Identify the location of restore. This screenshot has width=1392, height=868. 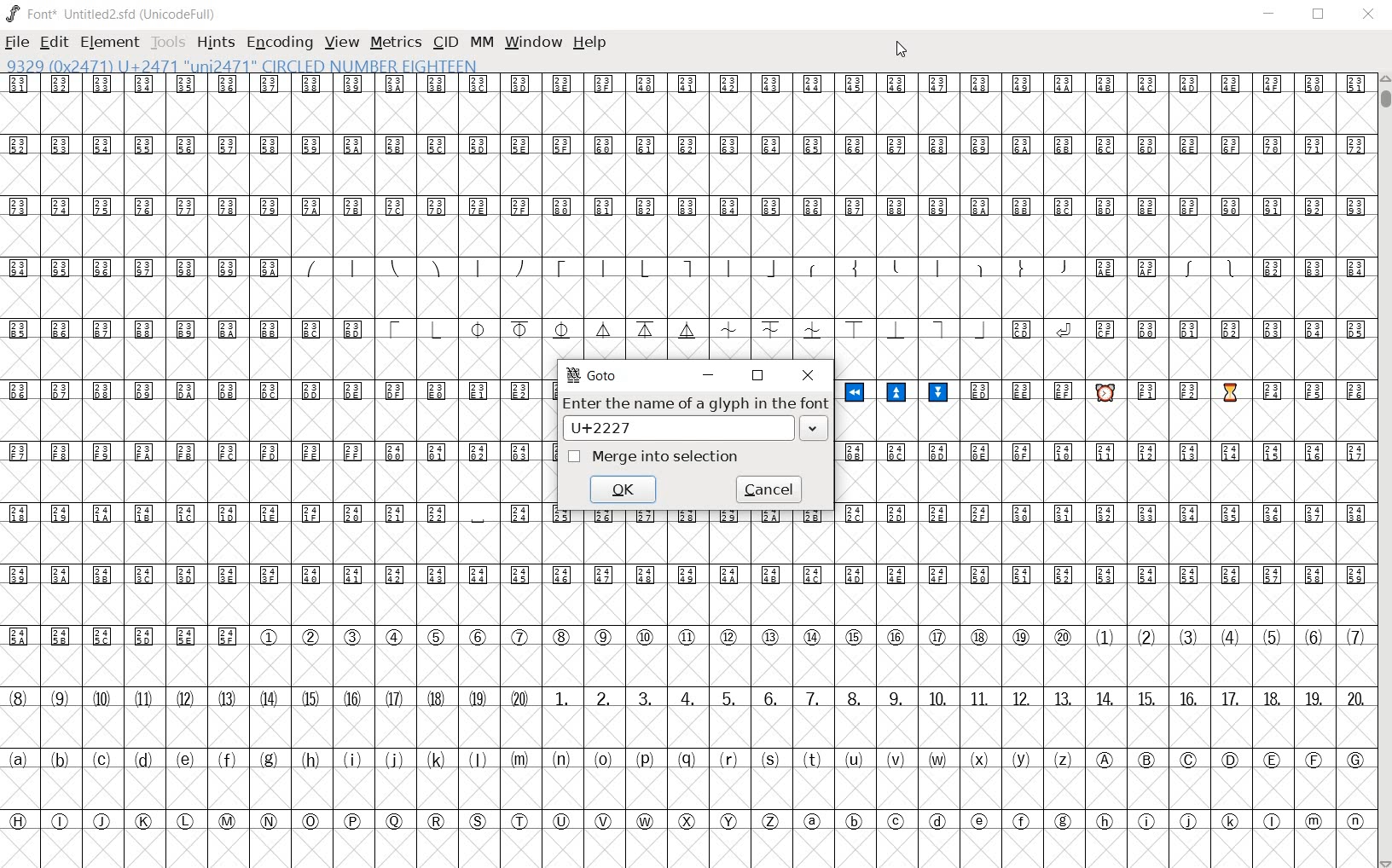
(1319, 14).